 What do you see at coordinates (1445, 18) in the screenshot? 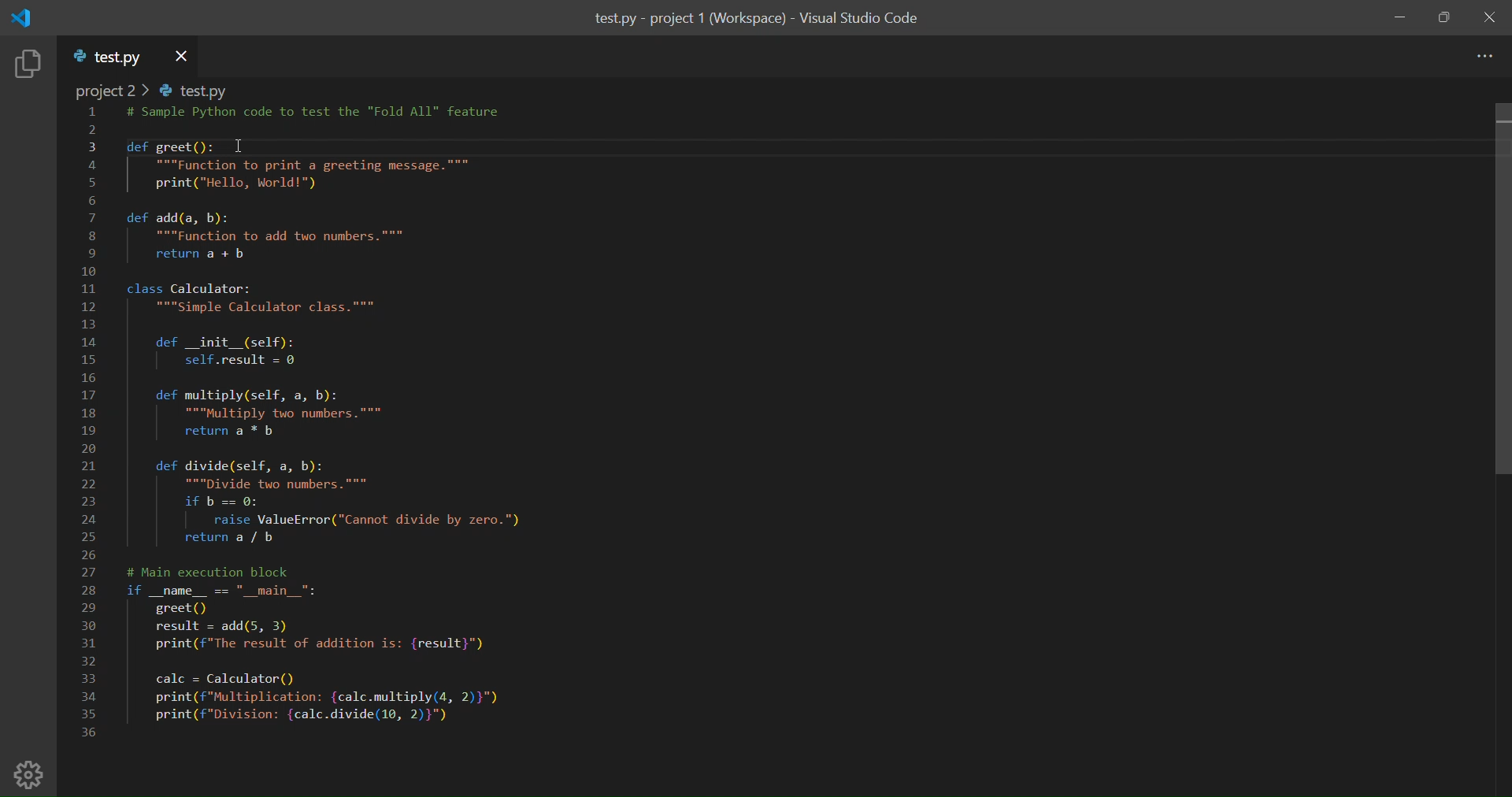
I see `maximize` at bounding box center [1445, 18].